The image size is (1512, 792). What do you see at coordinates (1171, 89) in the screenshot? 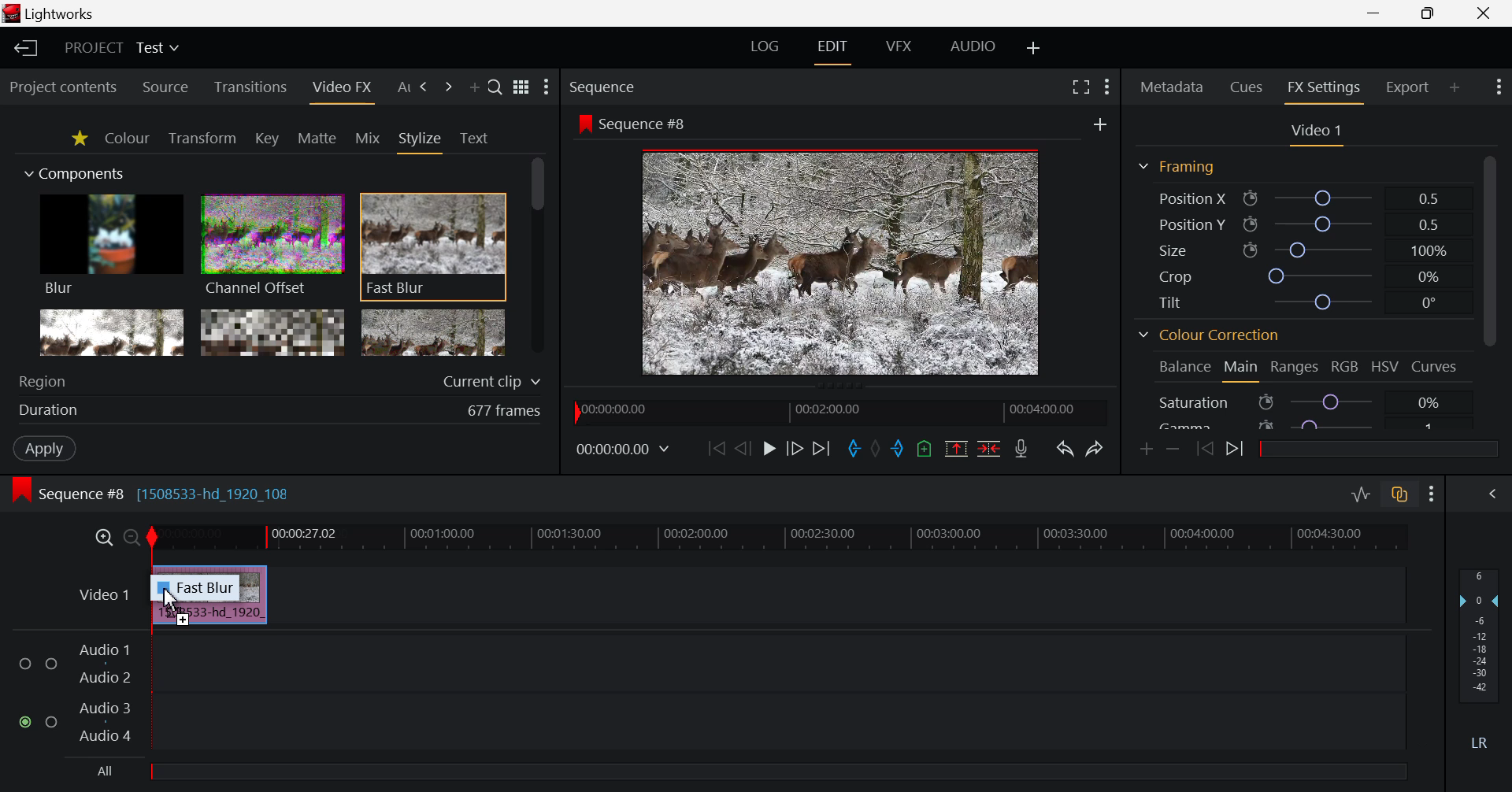
I see `Metadata` at bounding box center [1171, 89].